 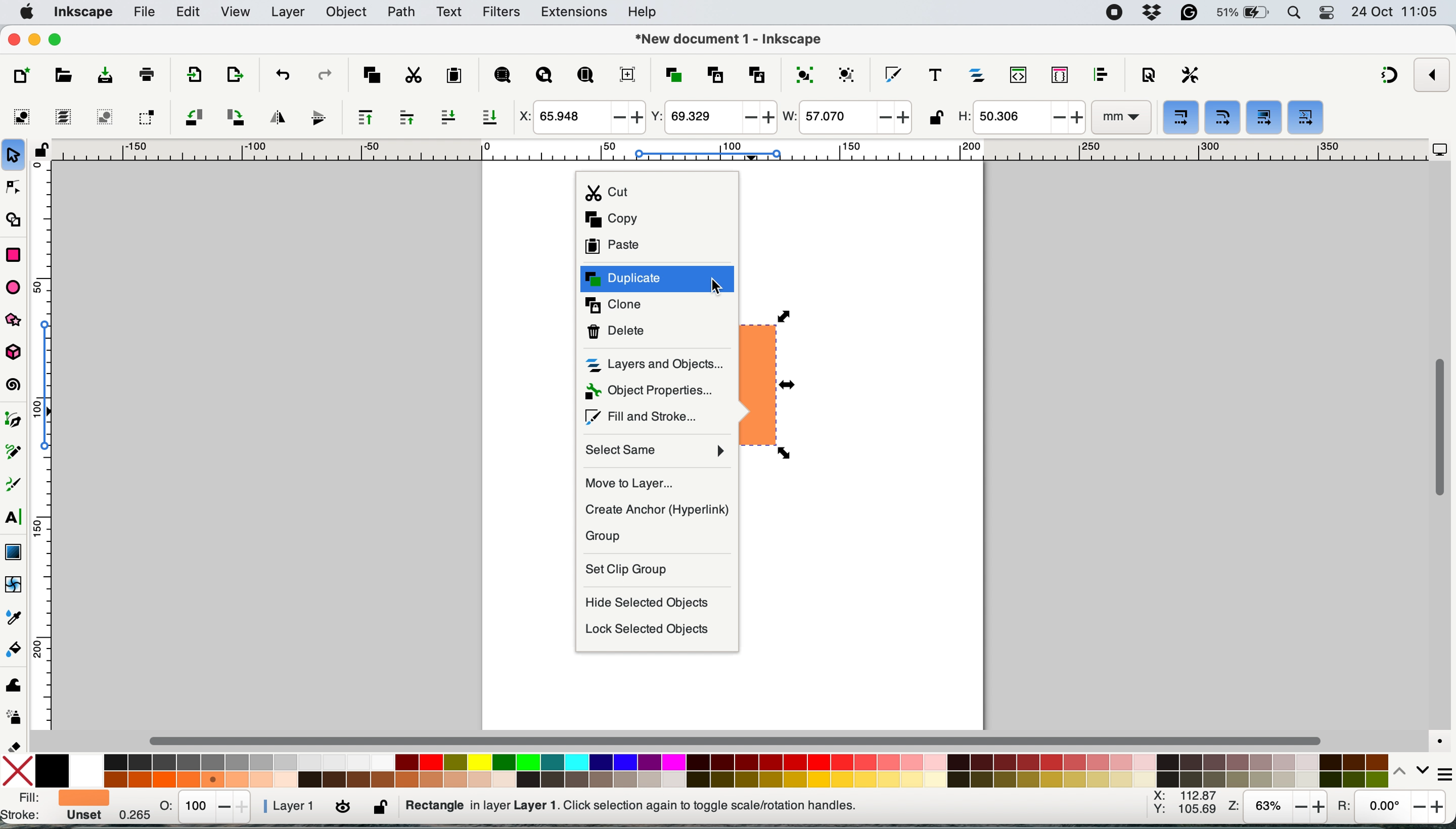 What do you see at coordinates (661, 248) in the screenshot?
I see `paste` at bounding box center [661, 248].